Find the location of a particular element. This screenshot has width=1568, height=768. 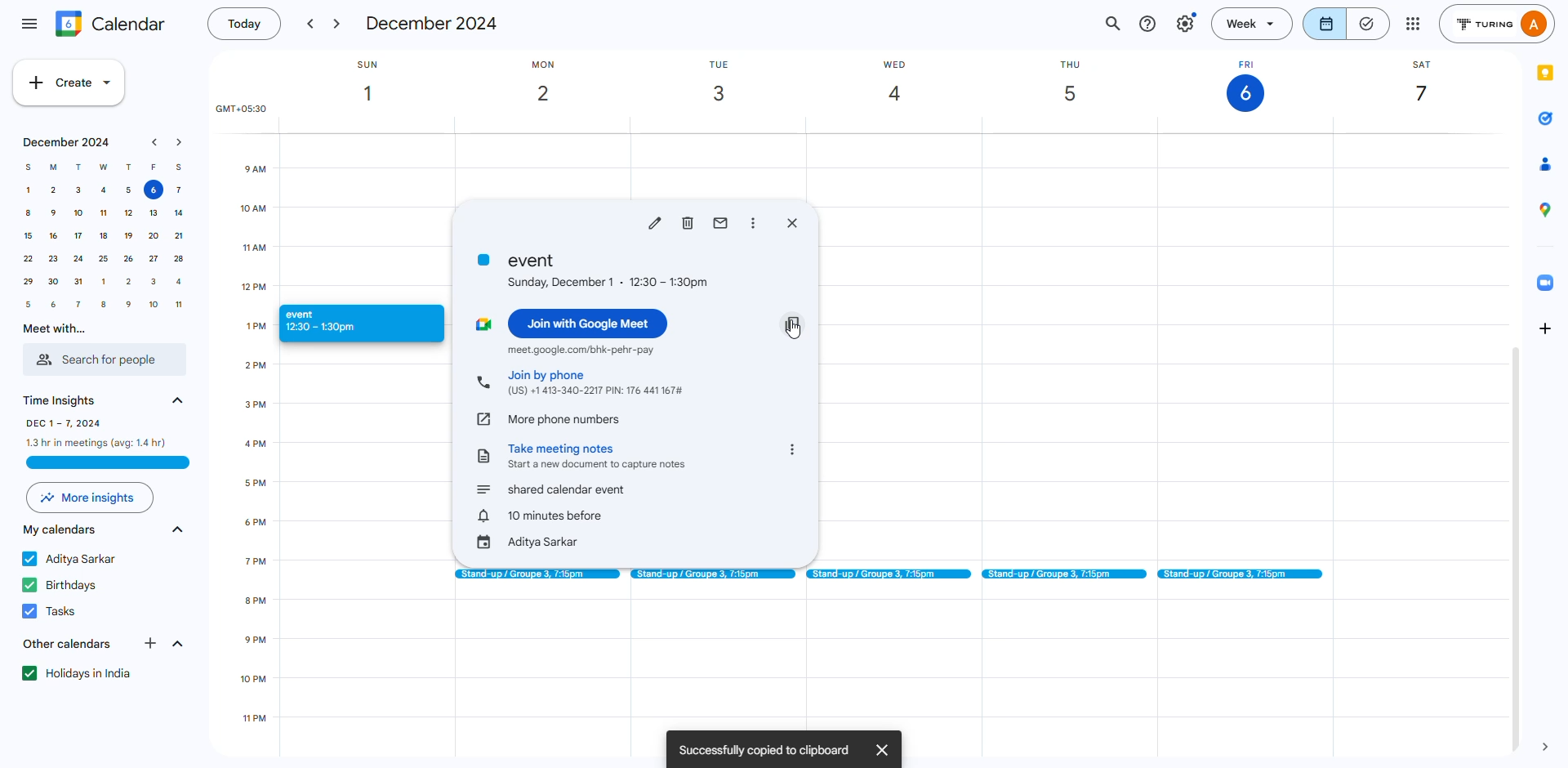

fri 6 is located at coordinates (1244, 84).